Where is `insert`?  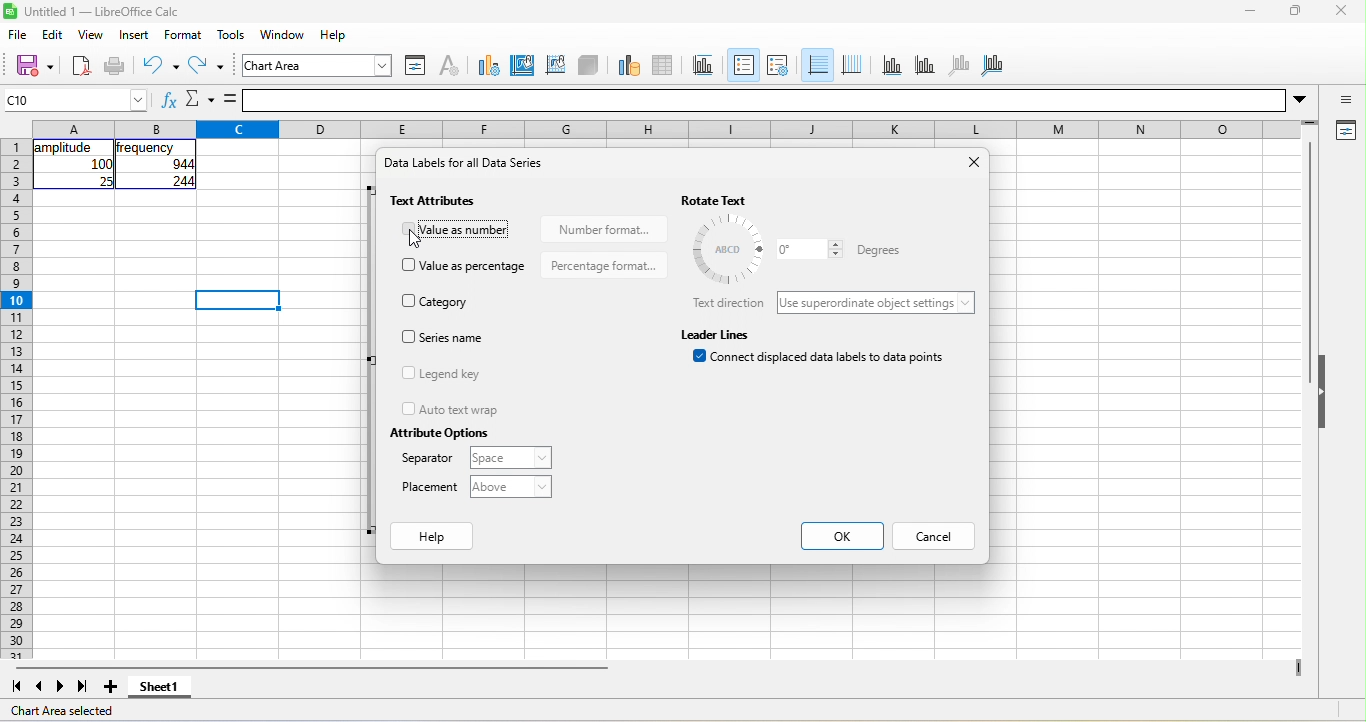 insert is located at coordinates (134, 35).